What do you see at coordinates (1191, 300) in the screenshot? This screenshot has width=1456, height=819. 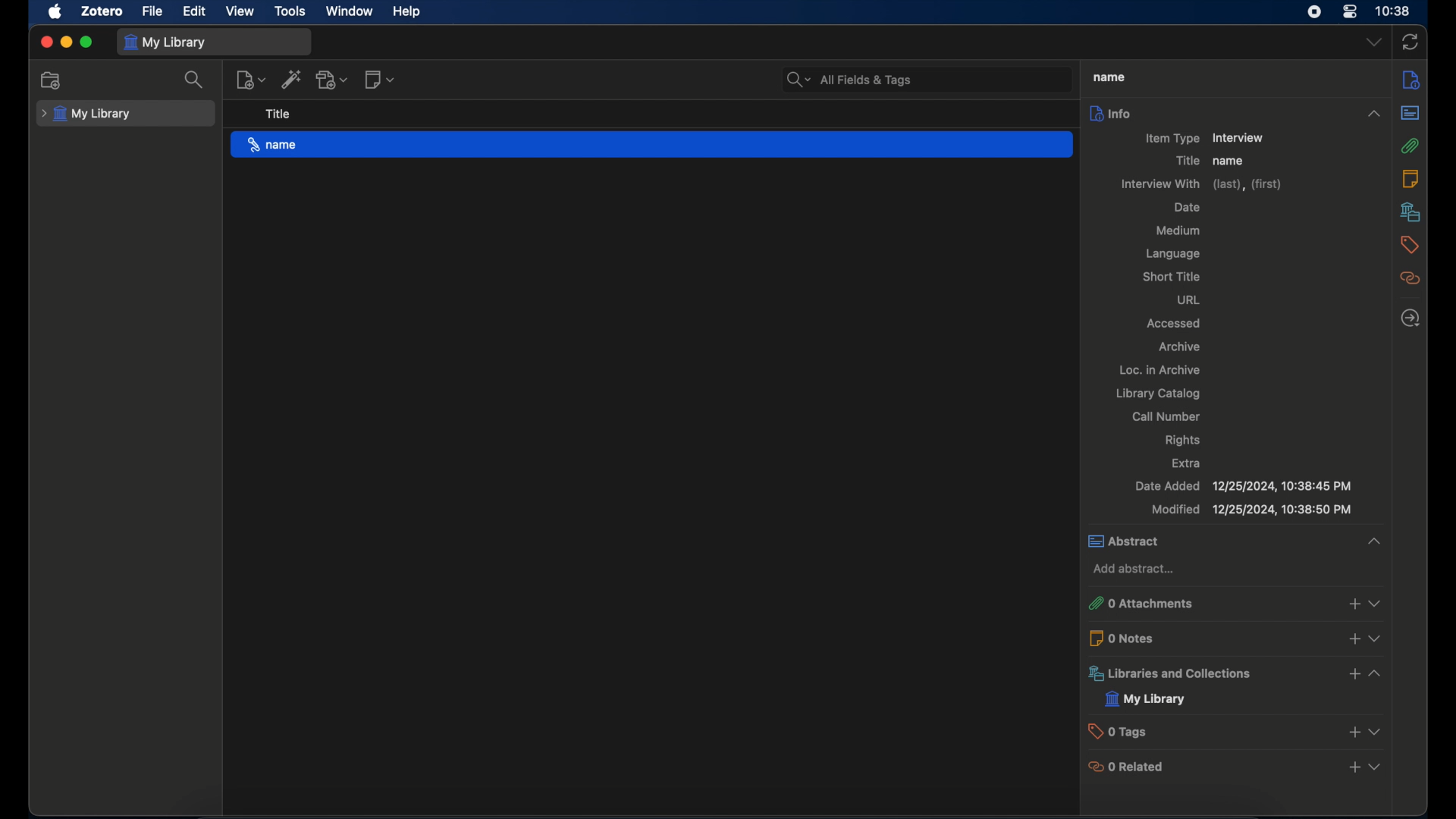 I see `url` at bounding box center [1191, 300].